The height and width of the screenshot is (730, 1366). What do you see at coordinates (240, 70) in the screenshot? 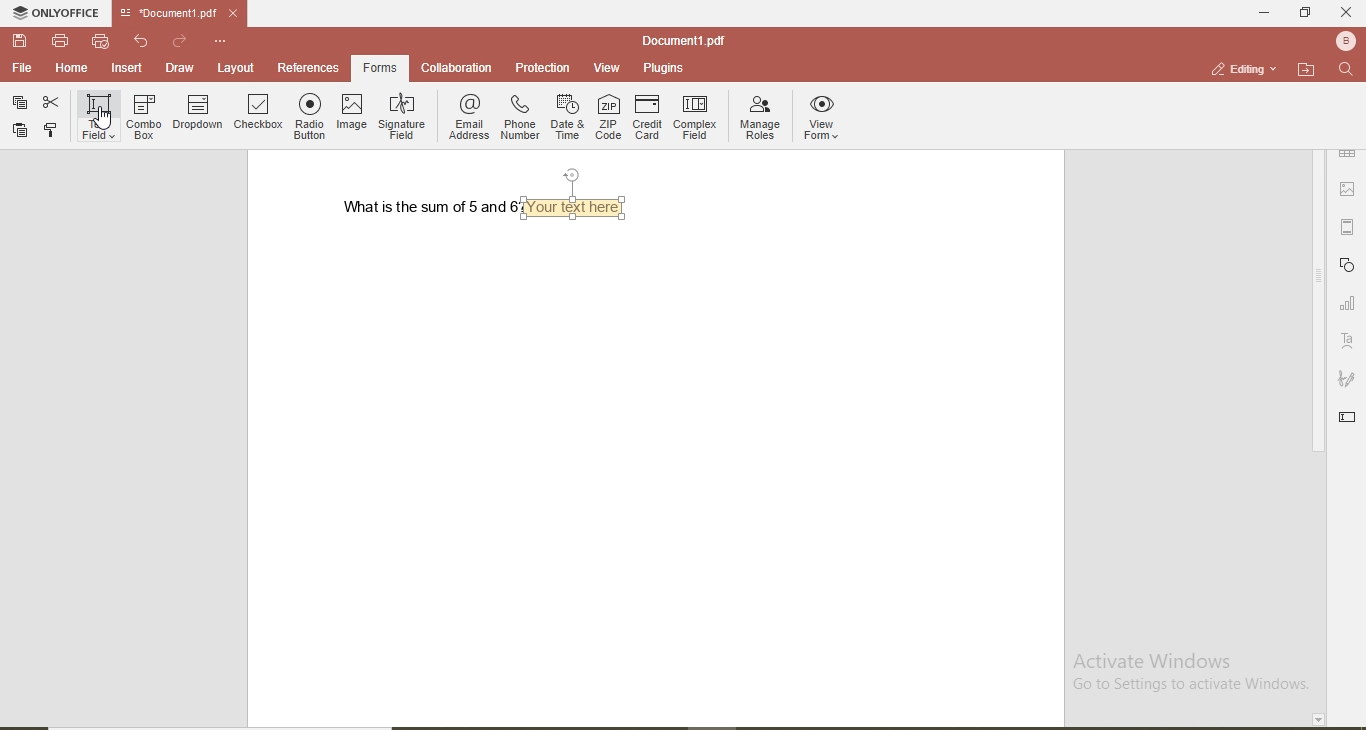
I see `layout` at bounding box center [240, 70].